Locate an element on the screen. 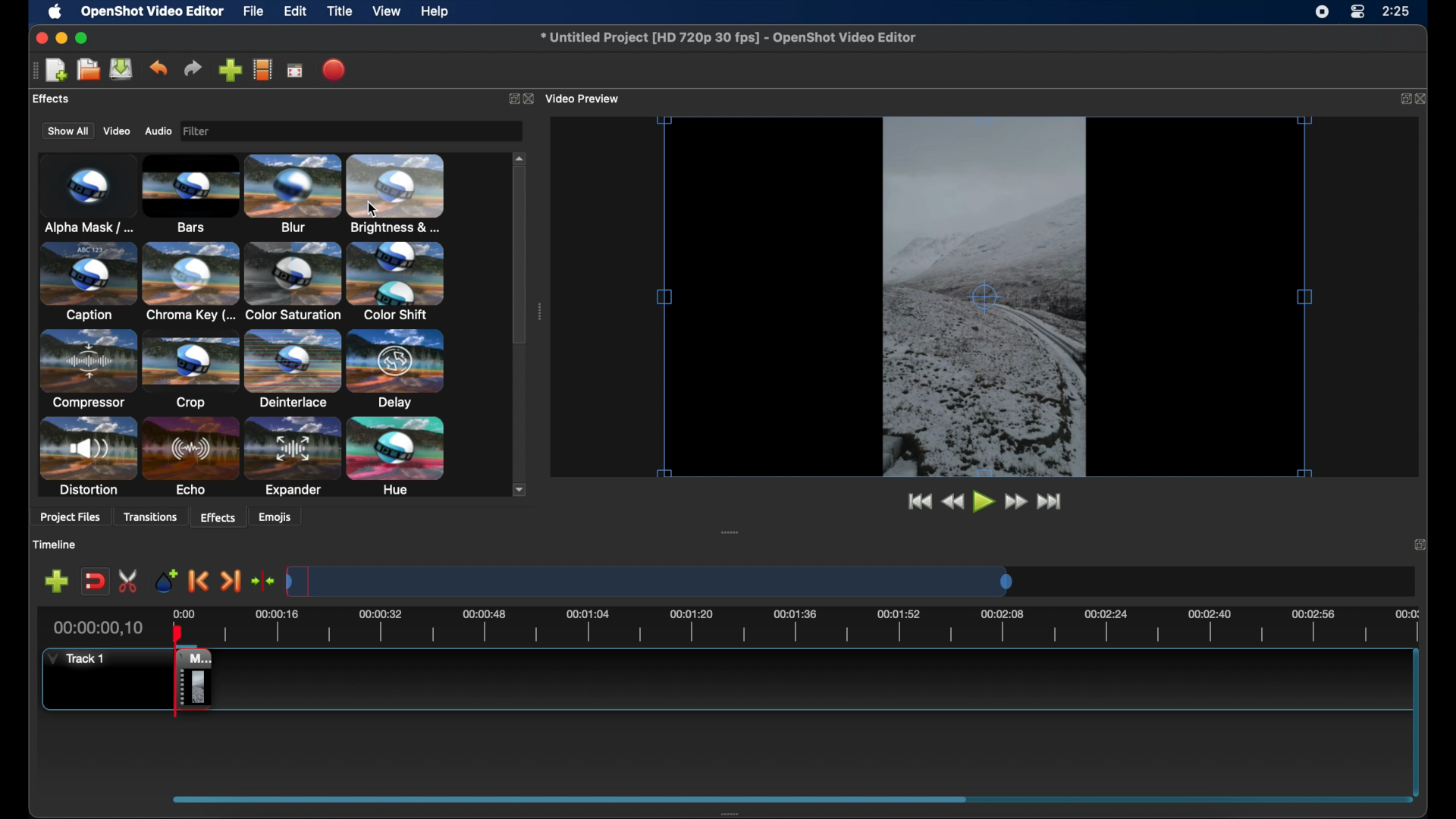 This screenshot has height=819, width=1456. caption is located at coordinates (86, 283).